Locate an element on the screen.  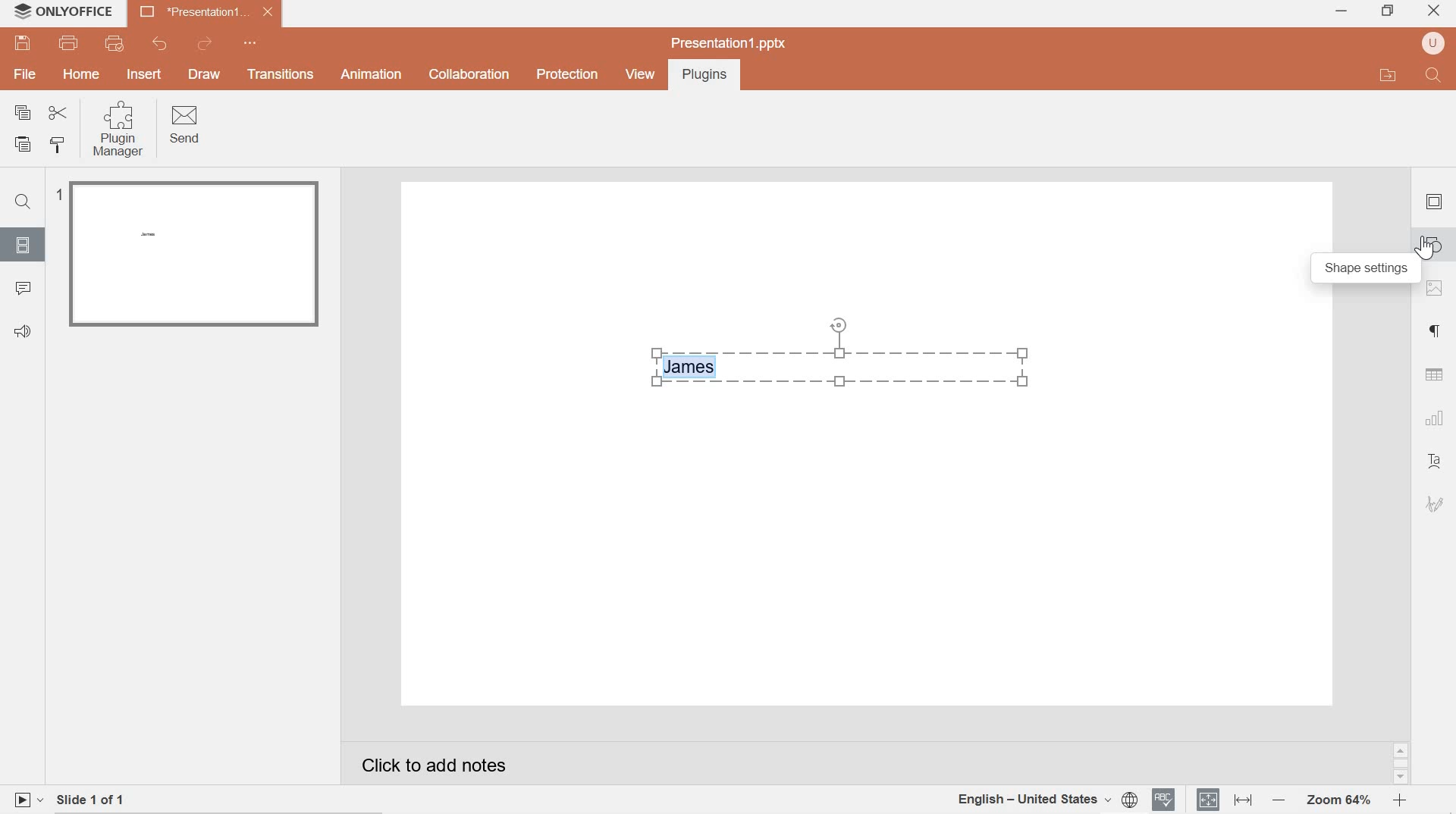
quick access toolbar is located at coordinates (253, 43).